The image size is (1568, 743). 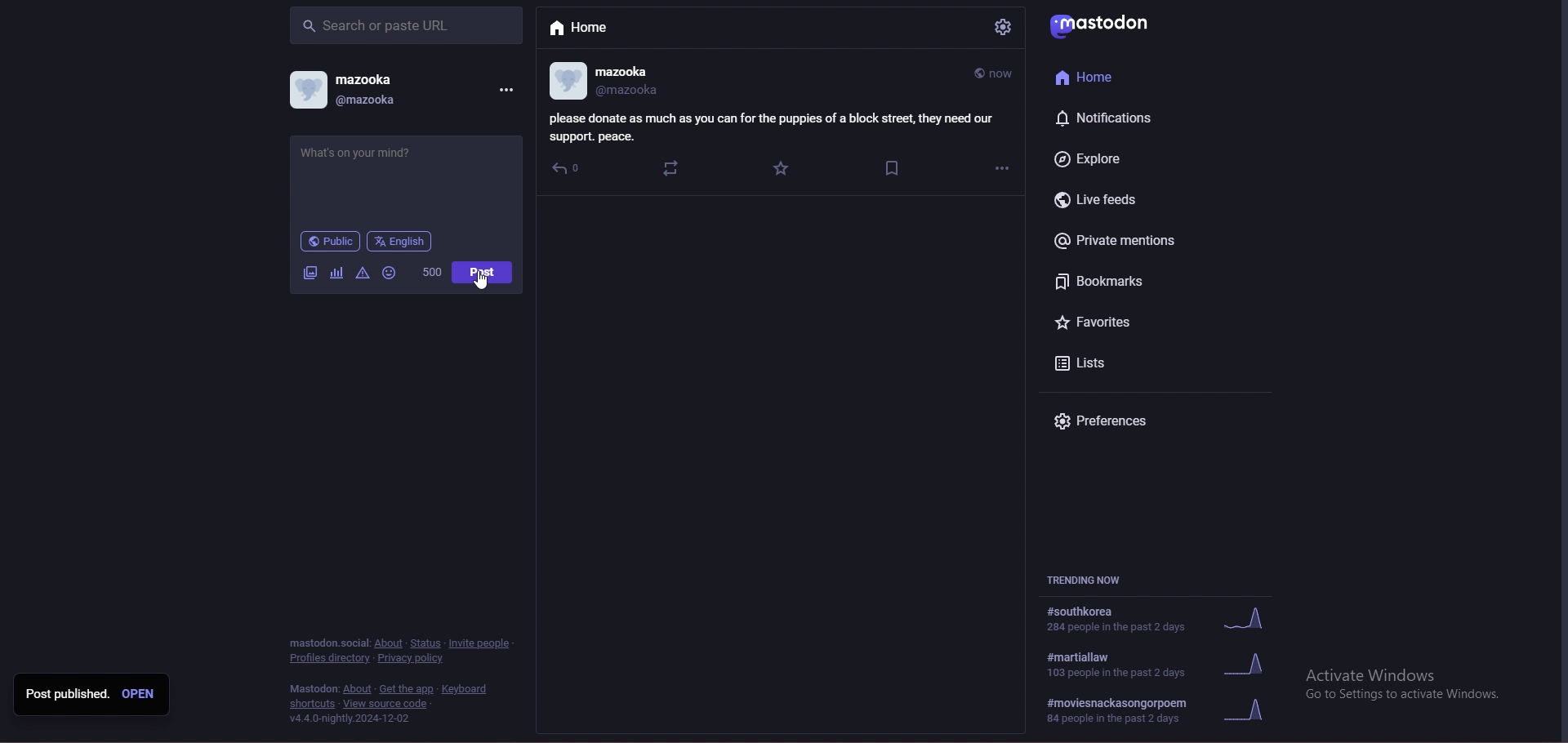 I want to click on notifications, so click(x=1129, y=118).